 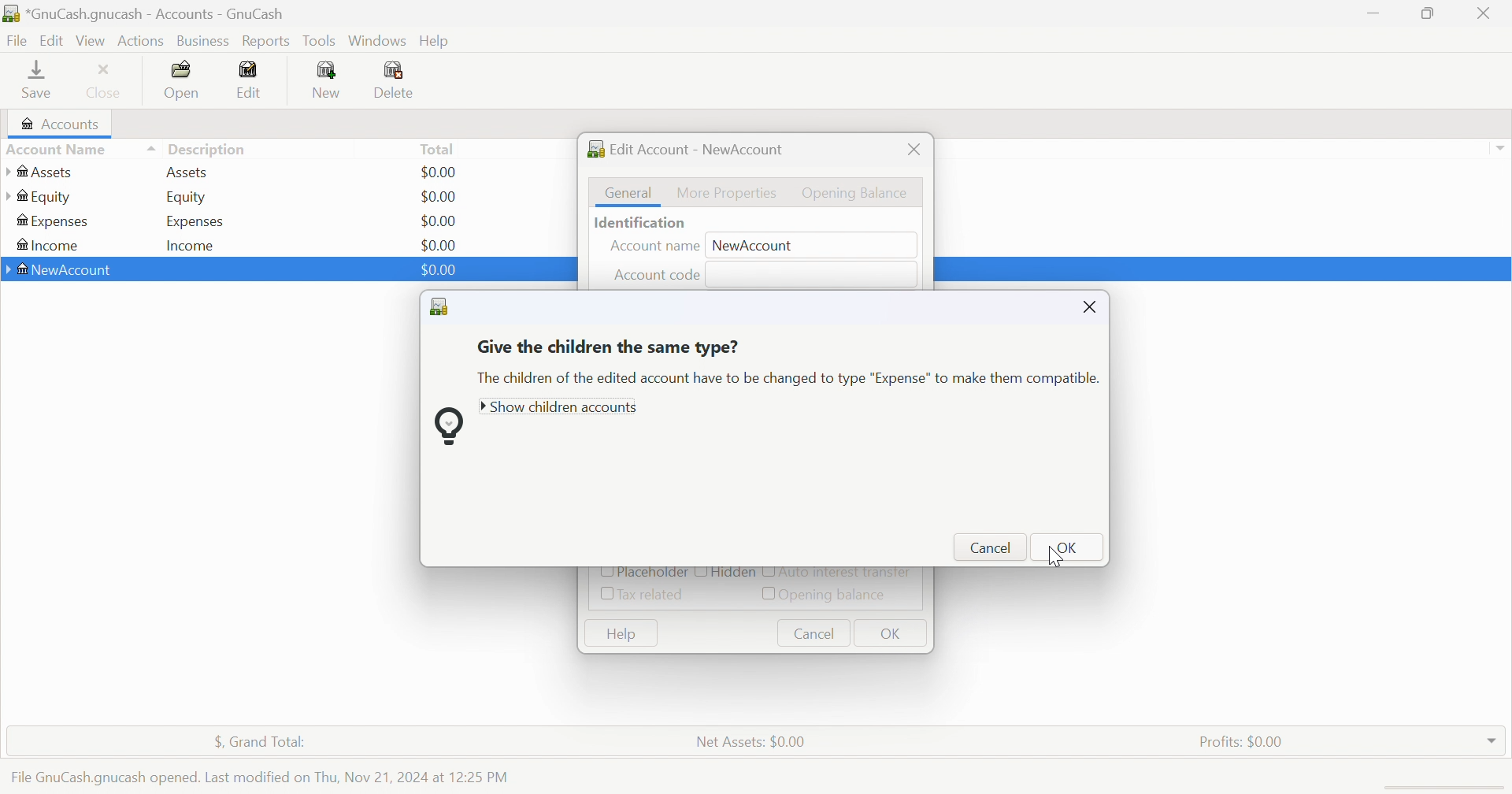 What do you see at coordinates (766, 595) in the screenshot?
I see `Checkbox` at bounding box center [766, 595].